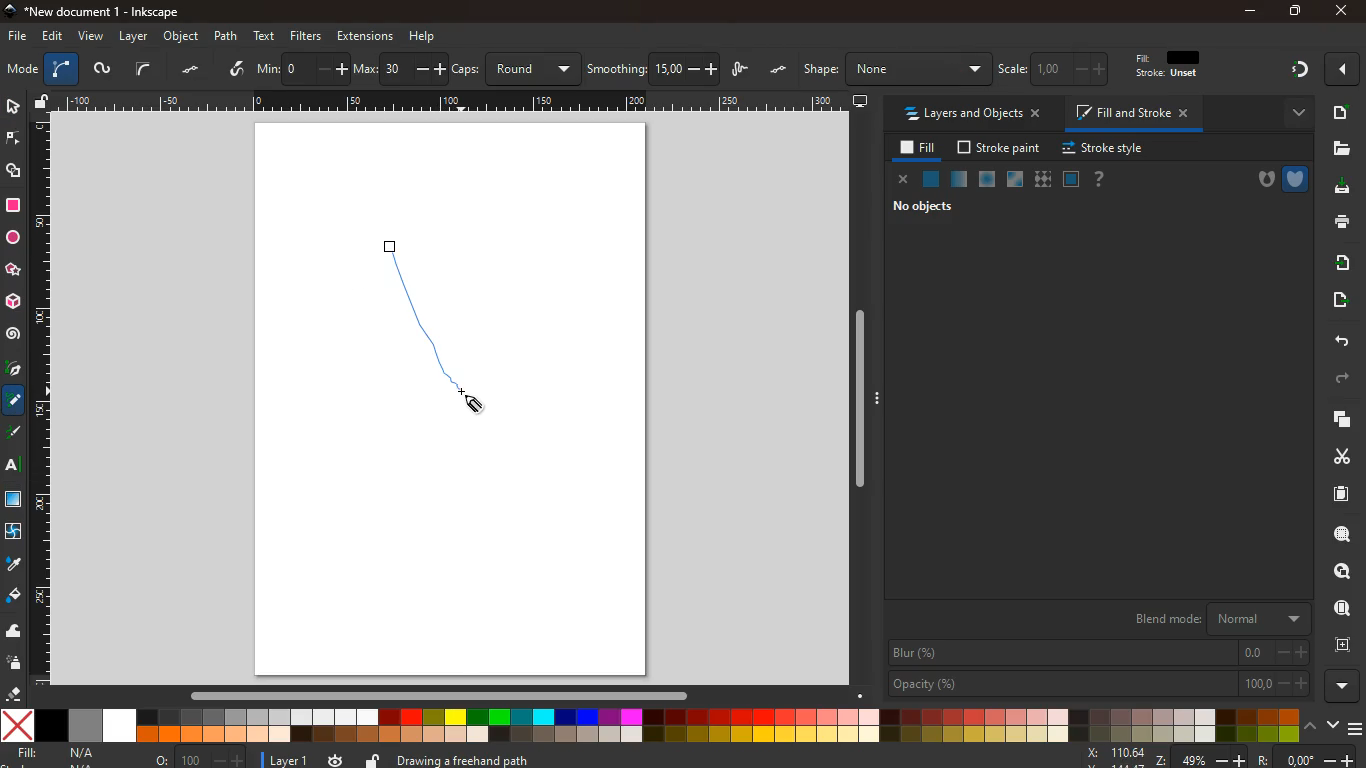 The image size is (1366, 768). What do you see at coordinates (971, 113) in the screenshot?
I see `layers and objects` at bounding box center [971, 113].